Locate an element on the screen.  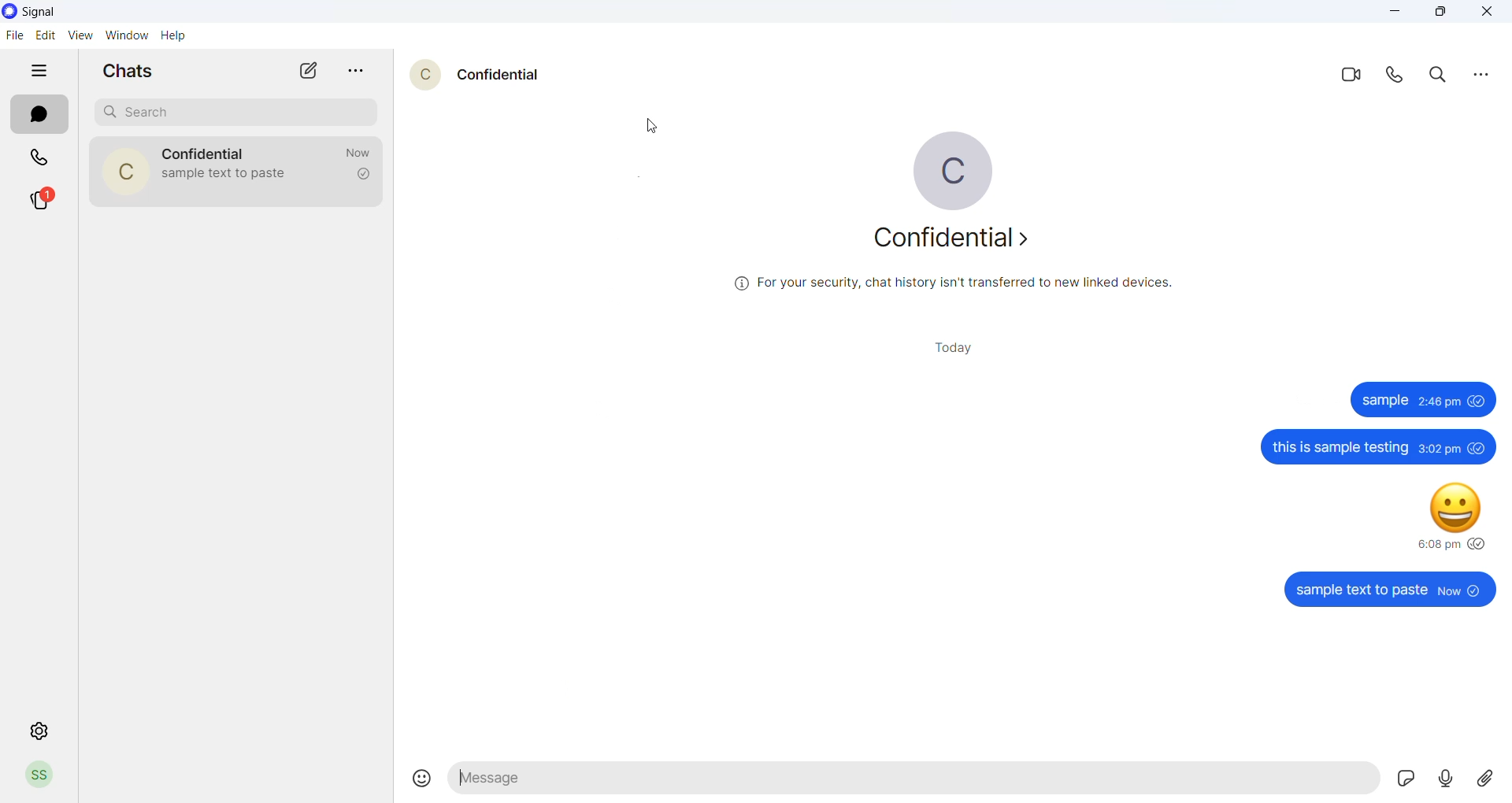
sticker is located at coordinates (1406, 777).